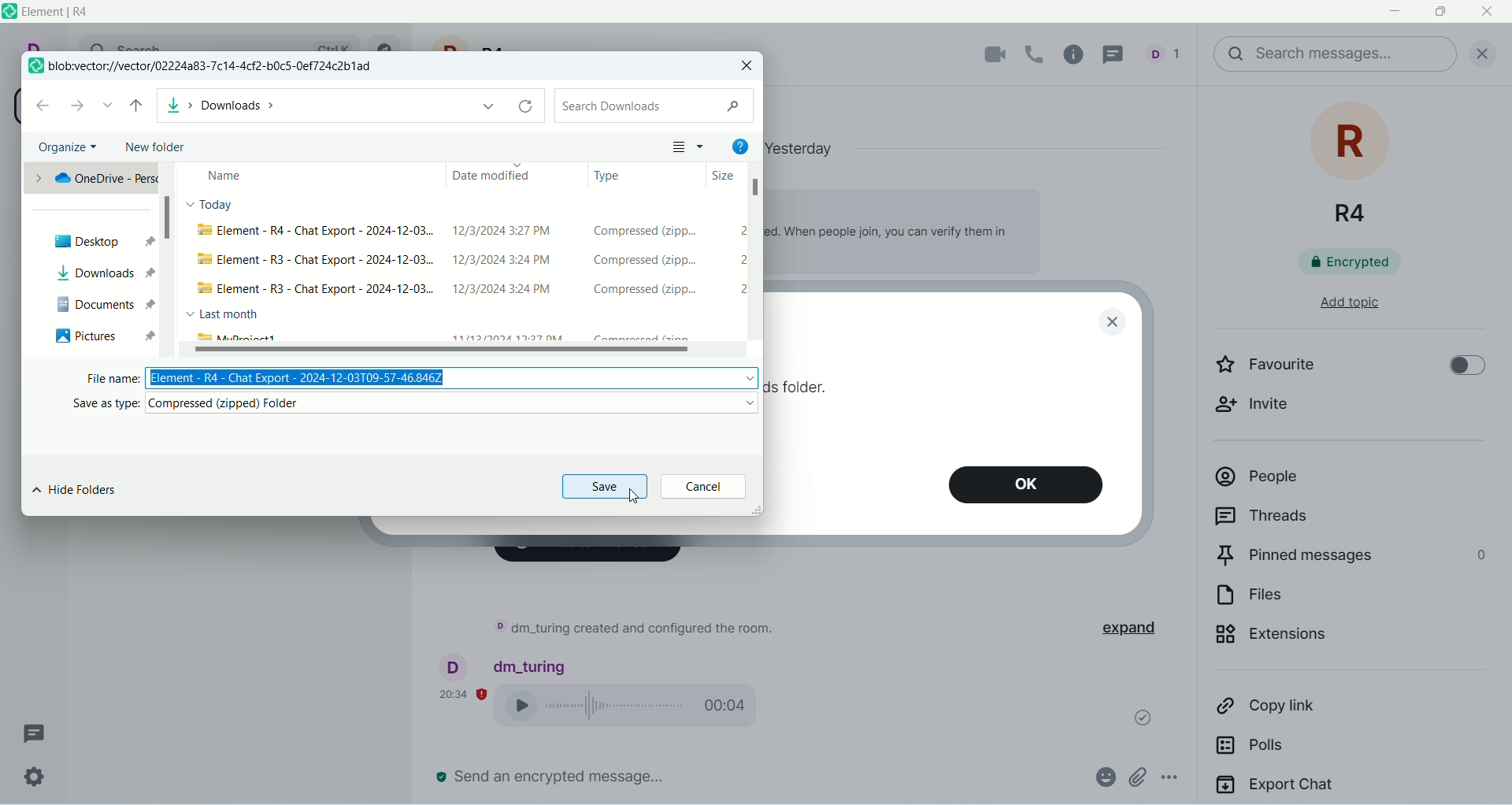 Image resolution: width=1512 pixels, height=805 pixels. Describe the element at coordinates (760, 266) in the screenshot. I see `vertical scroll bar` at that location.